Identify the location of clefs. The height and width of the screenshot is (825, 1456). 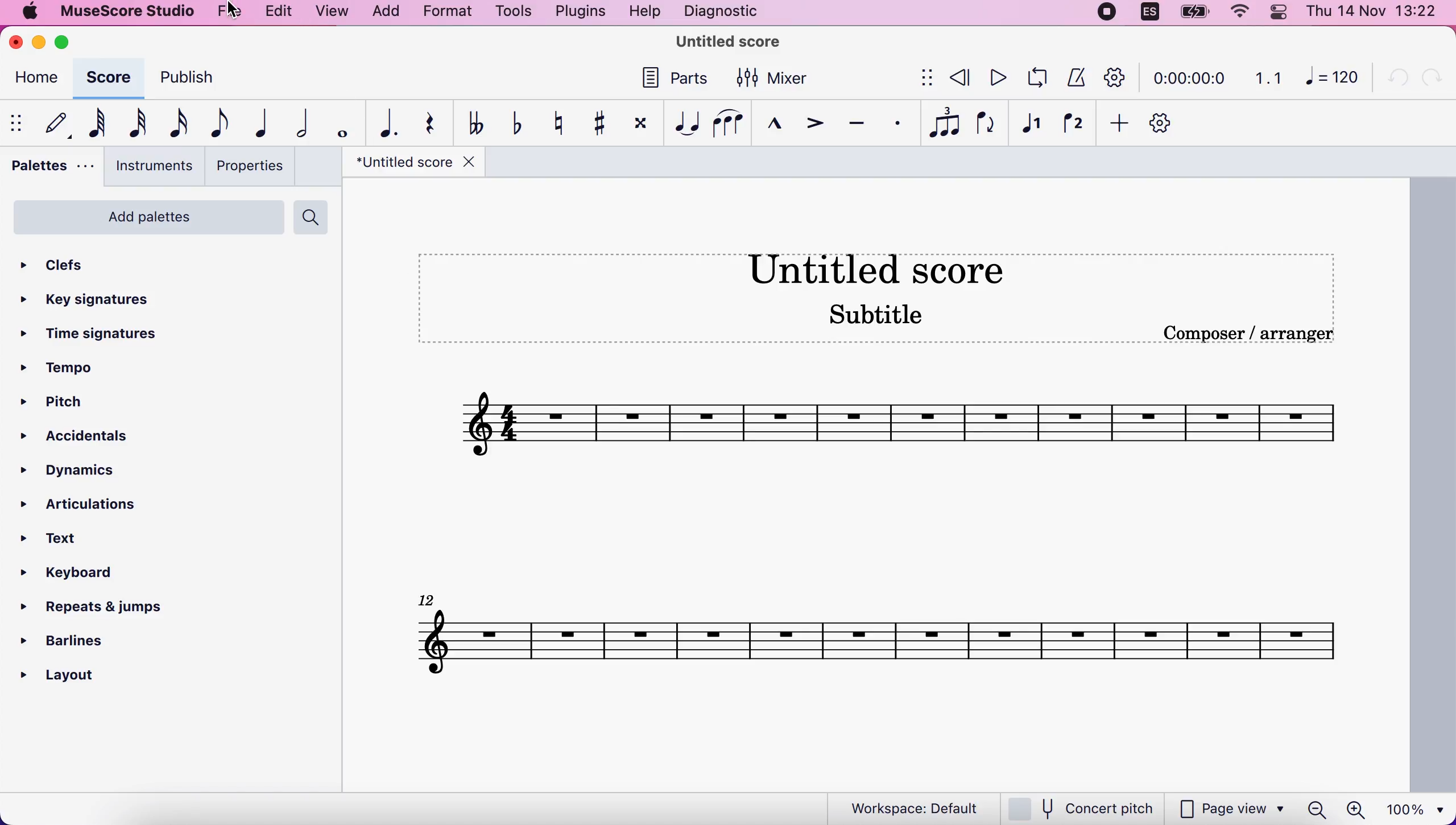
(71, 265).